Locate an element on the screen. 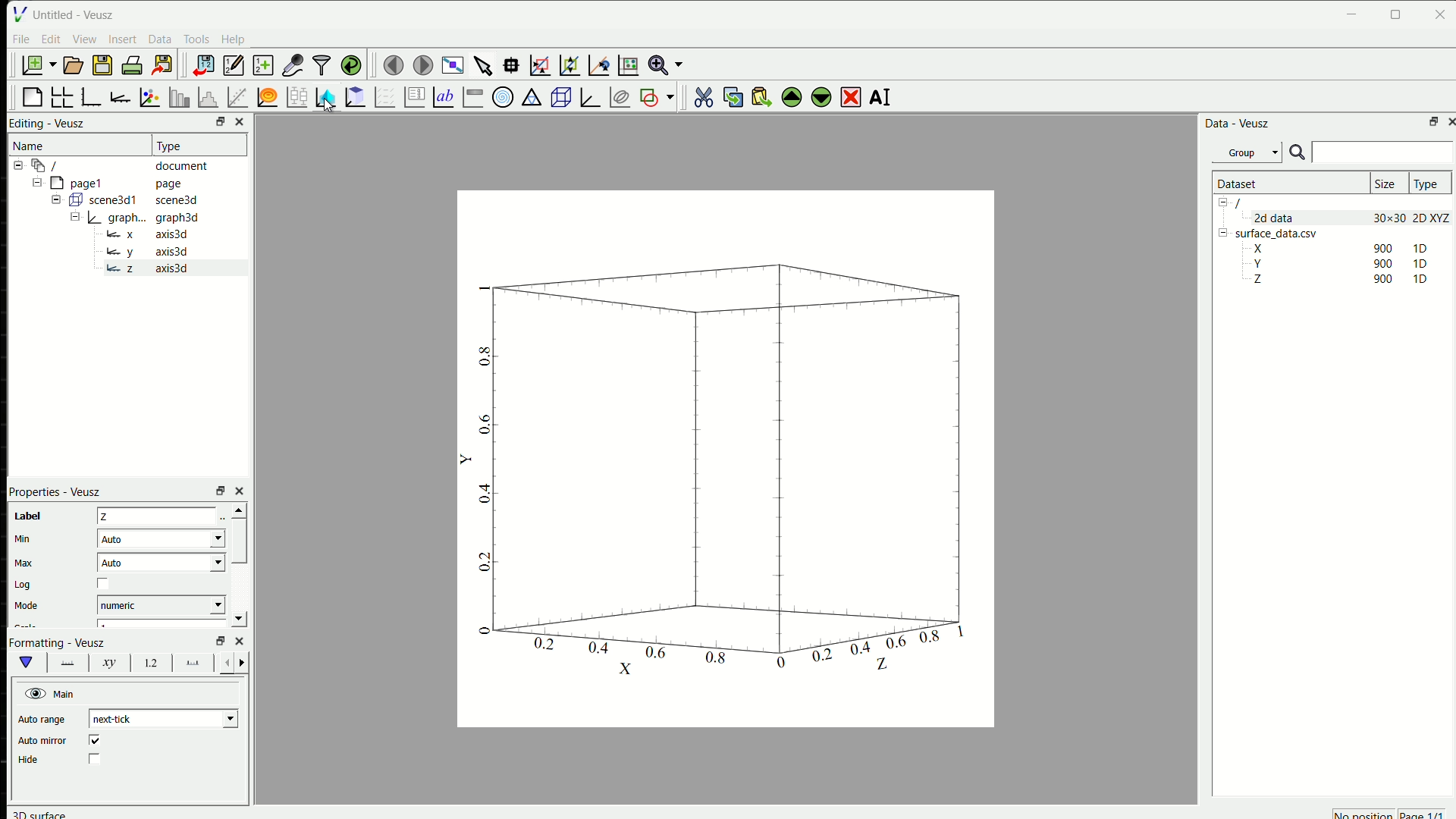 This screenshot has height=819, width=1456. page is located at coordinates (177, 184).